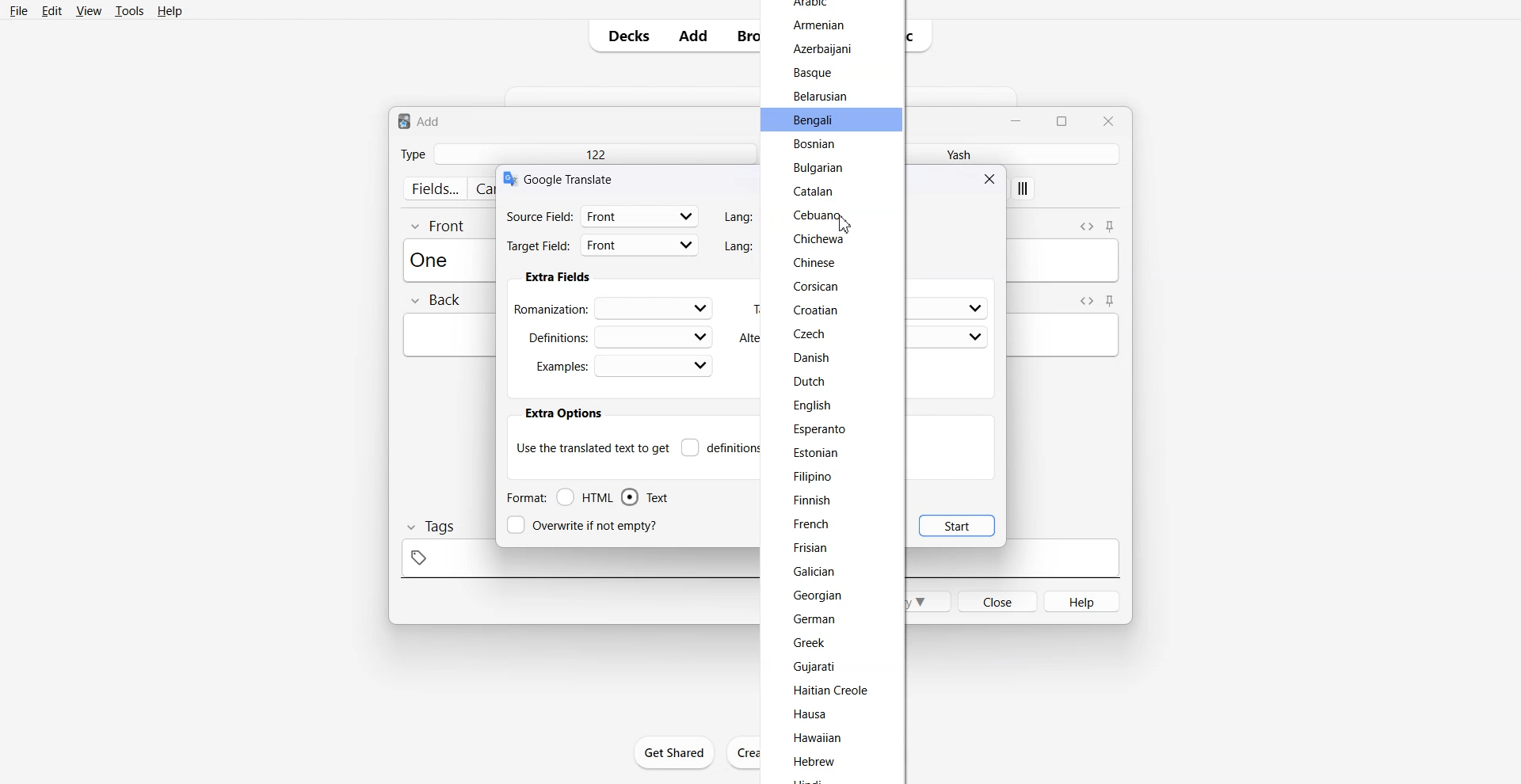 The image size is (1521, 784). I want to click on Hausa, so click(816, 714).